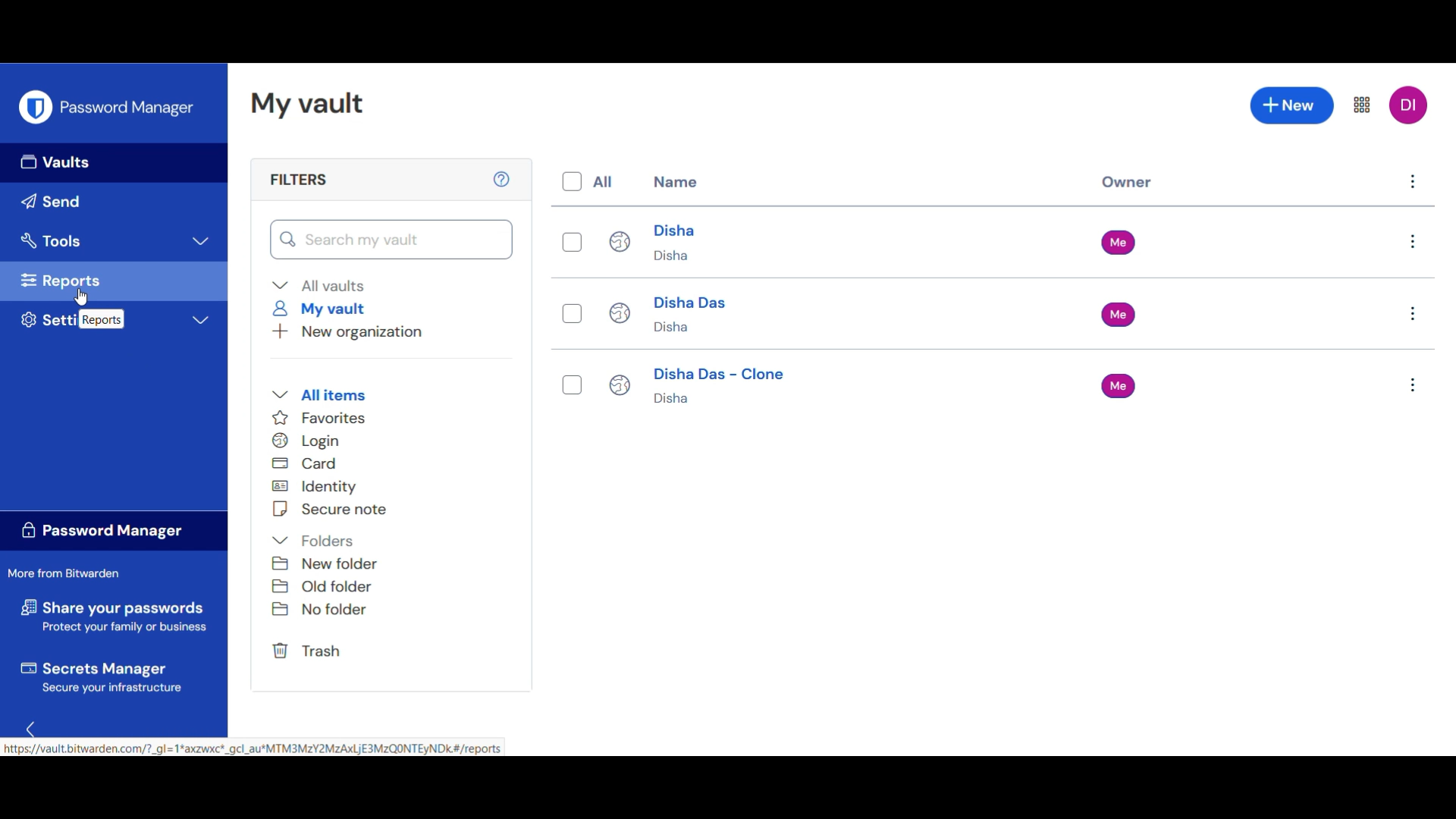  What do you see at coordinates (1417, 242) in the screenshot?
I see `entry menu` at bounding box center [1417, 242].